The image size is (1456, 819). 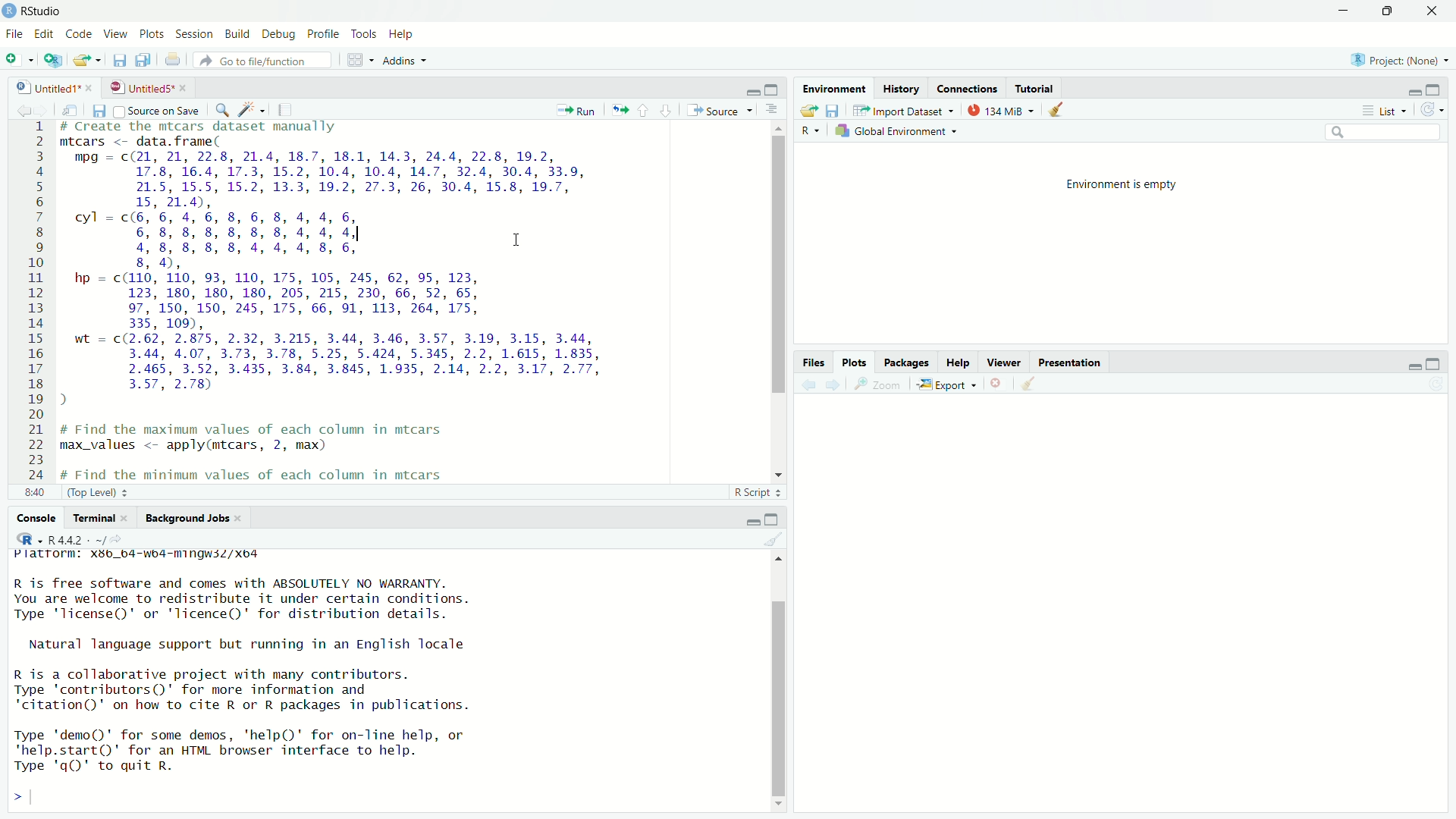 I want to click on next, so click(x=836, y=384).